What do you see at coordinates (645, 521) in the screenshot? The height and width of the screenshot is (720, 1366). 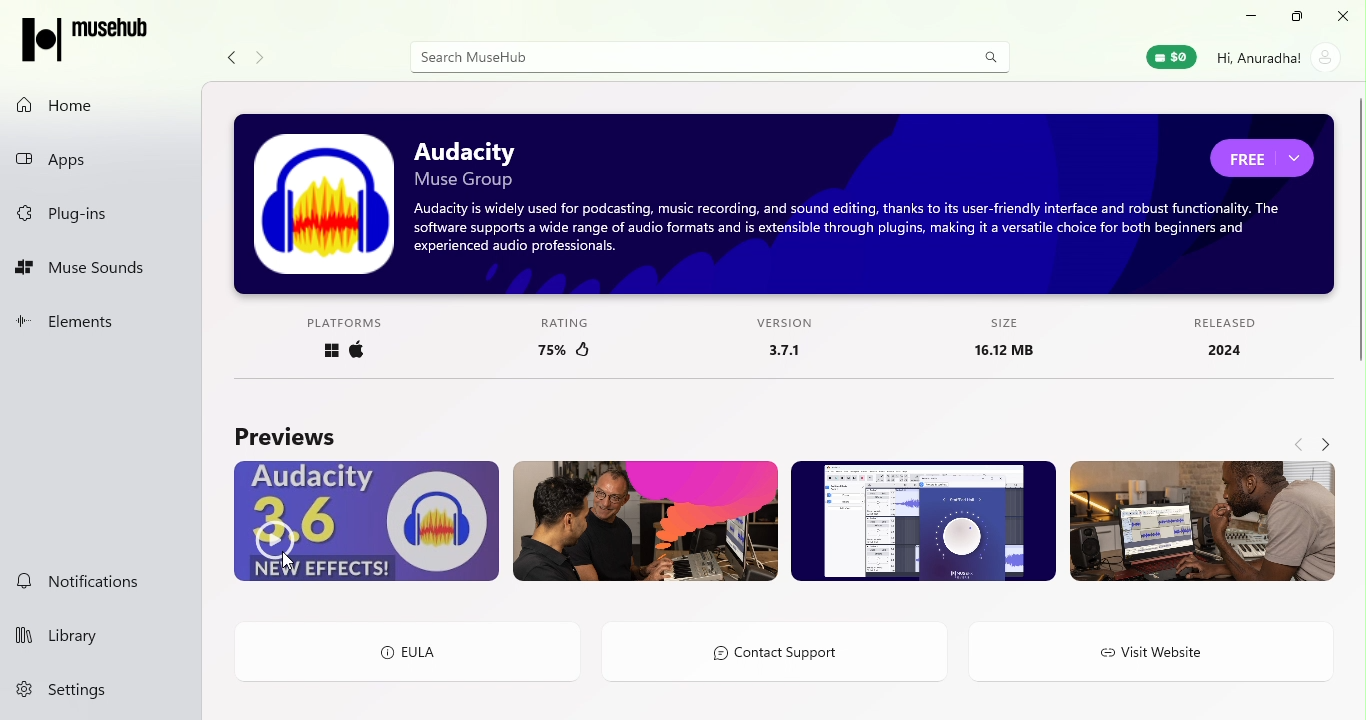 I see `Preview` at bounding box center [645, 521].